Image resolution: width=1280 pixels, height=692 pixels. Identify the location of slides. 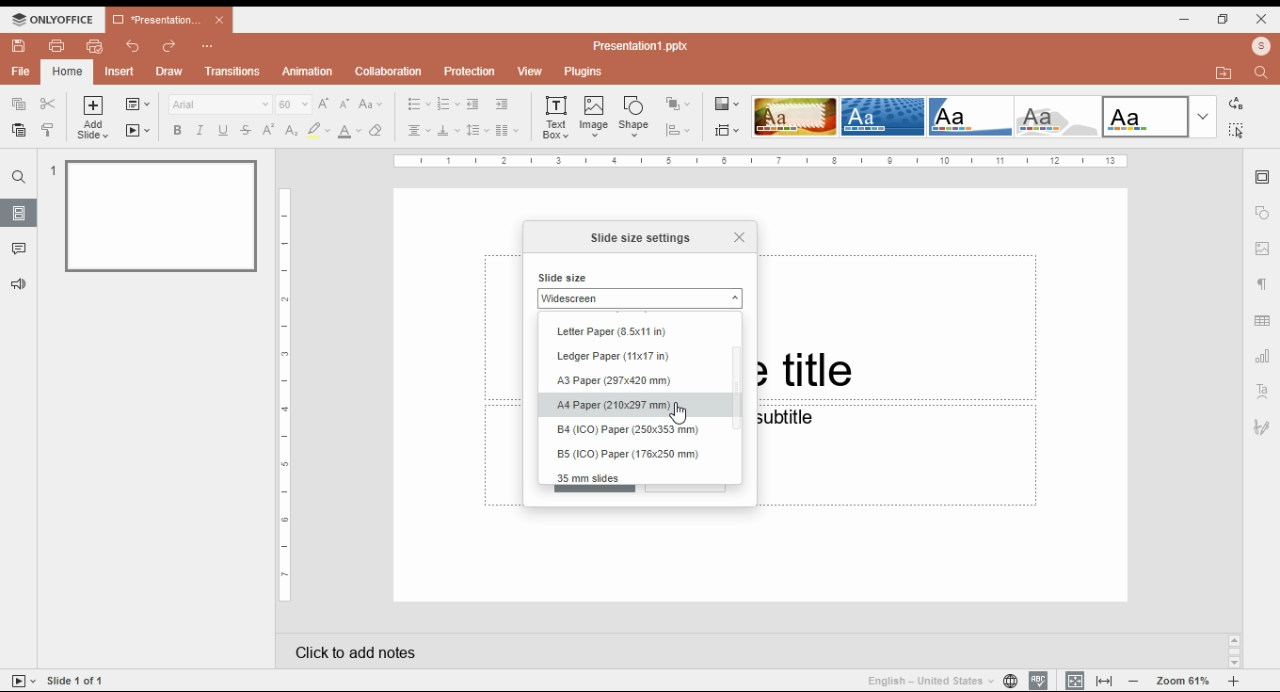
(19, 212).